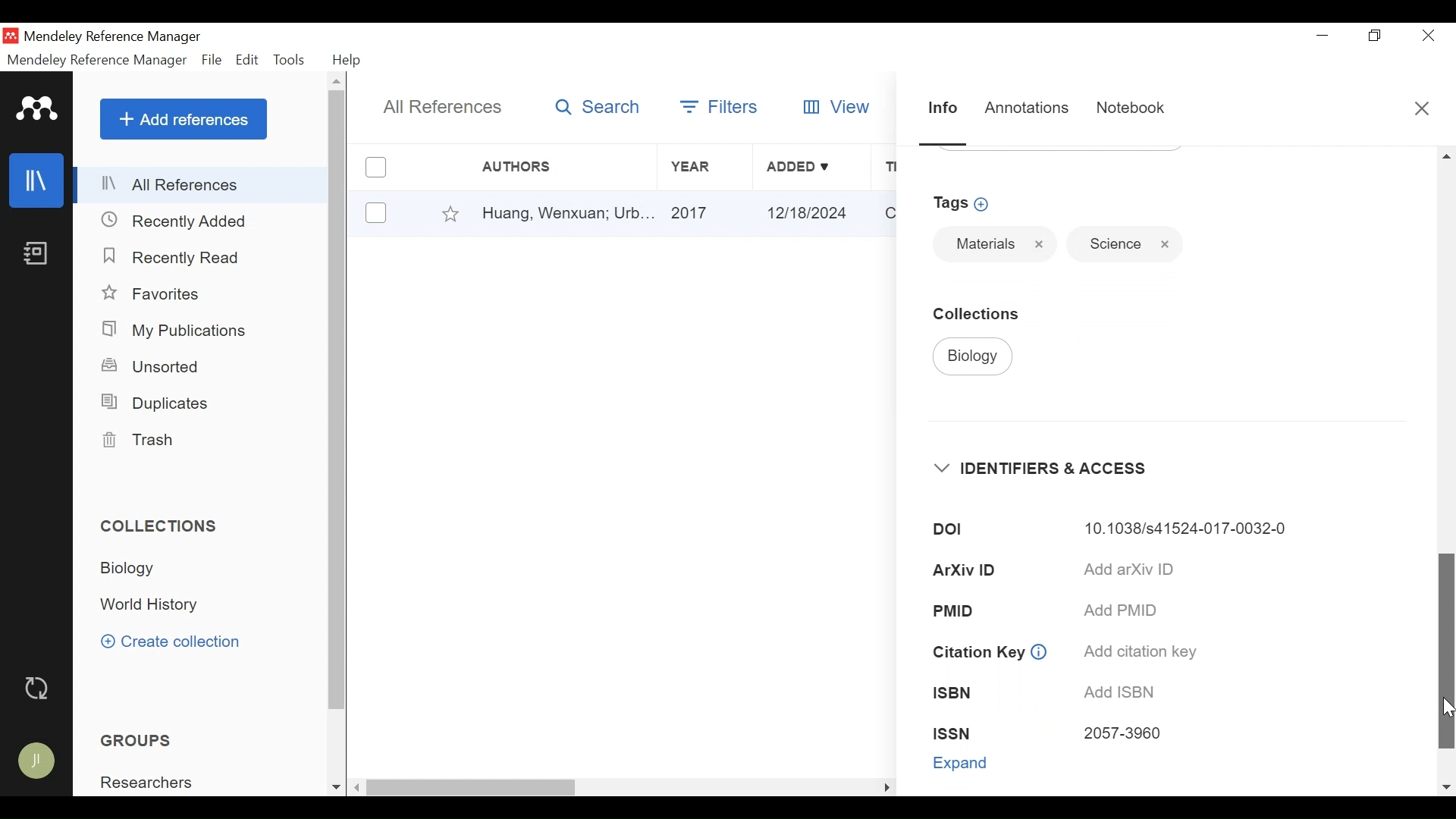 The width and height of the screenshot is (1456, 819). I want to click on Add References, so click(184, 119).